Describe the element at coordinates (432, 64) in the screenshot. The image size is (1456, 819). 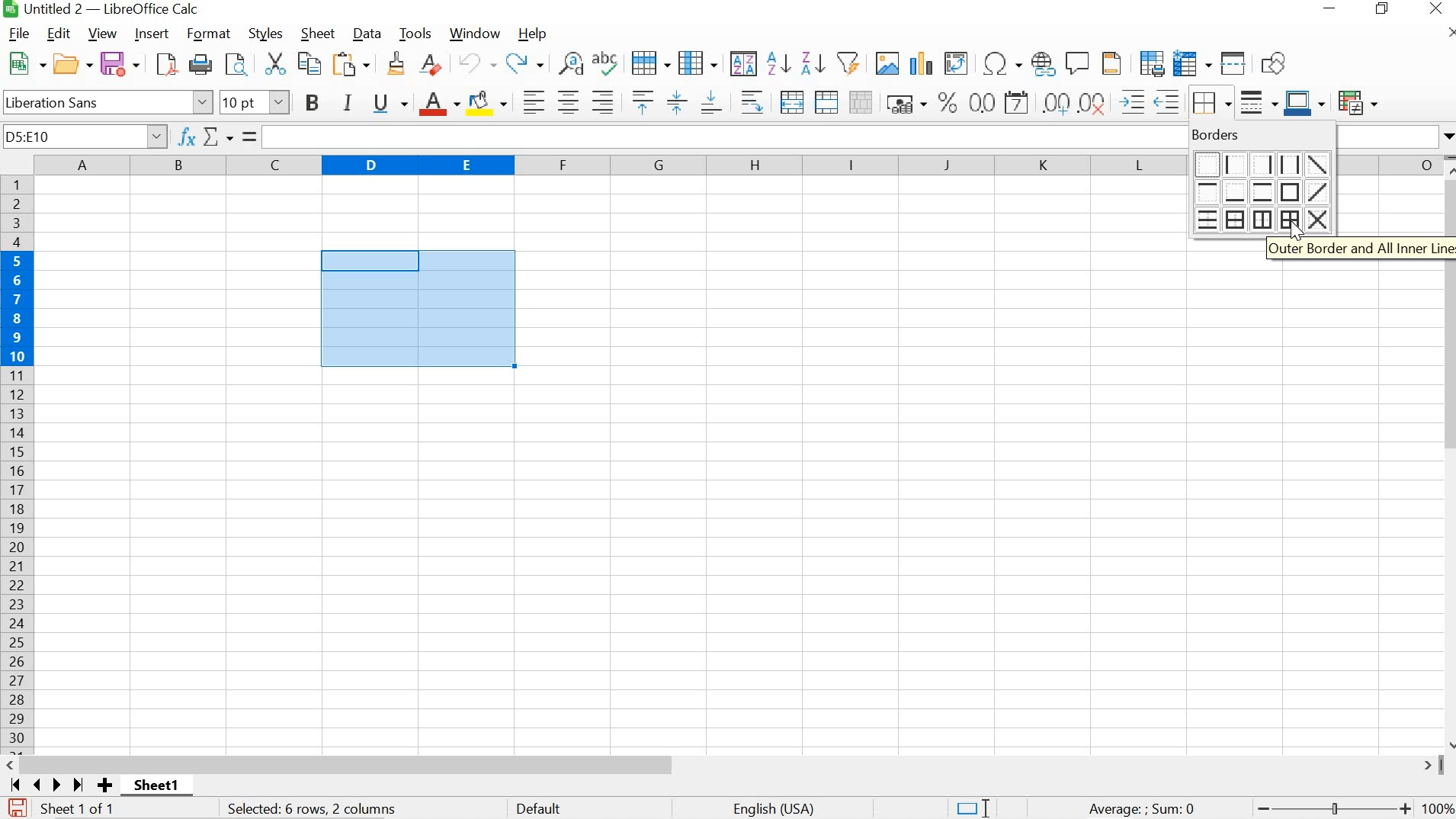
I see `clear direct formatting` at that location.